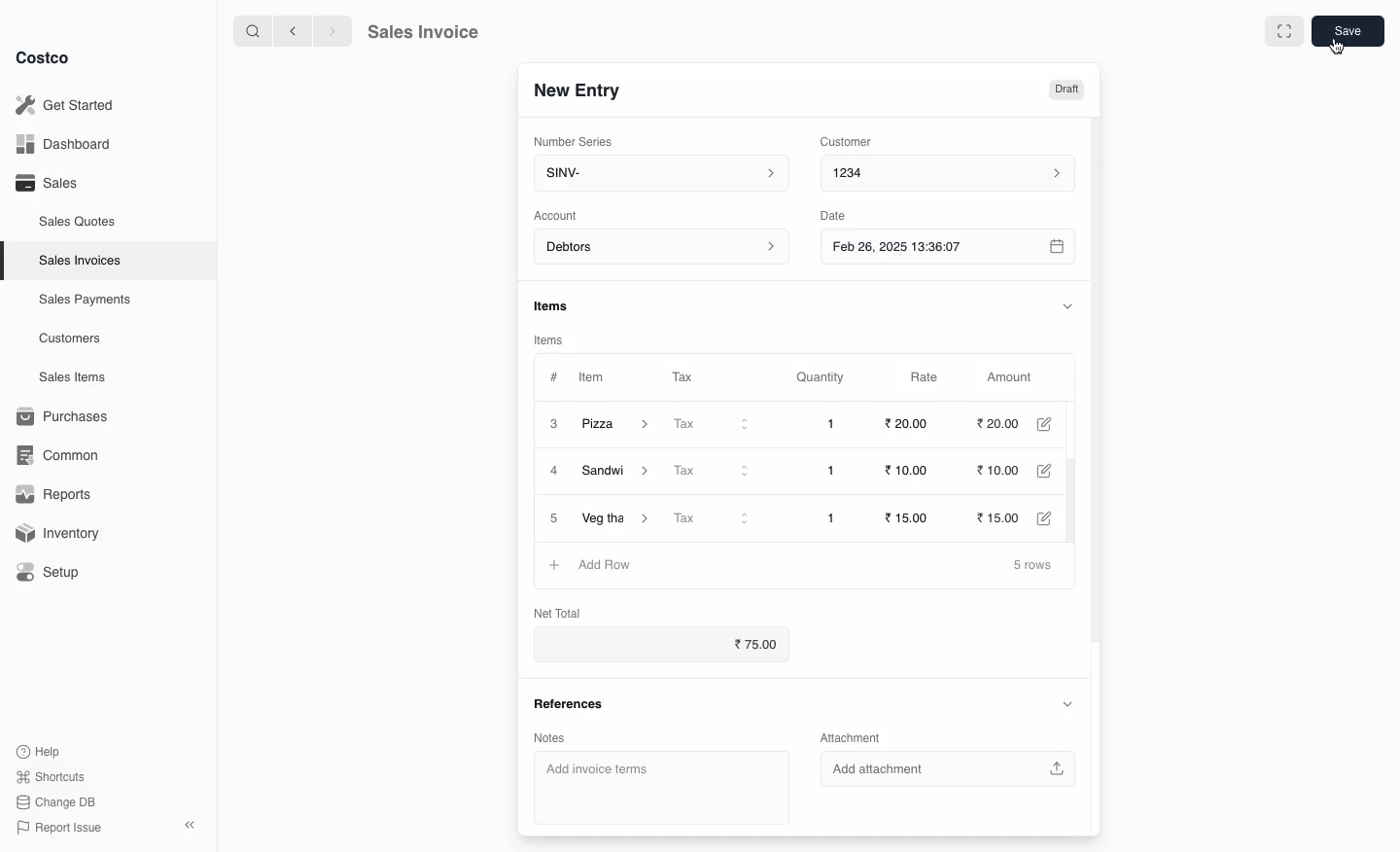 This screenshot has height=852, width=1400. What do you see at coordinates (570, 142) in the screenshot?
I see `‘Number Series` at bounding box center [570, 142].